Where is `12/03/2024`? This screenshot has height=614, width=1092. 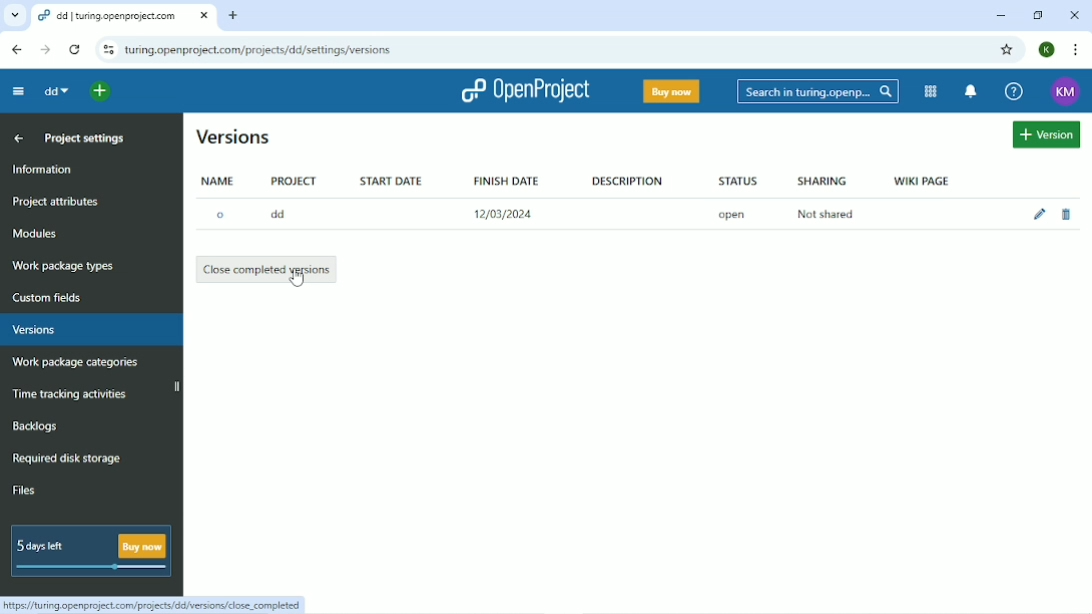
12/03/2024 is located at coordinates (509, 214).